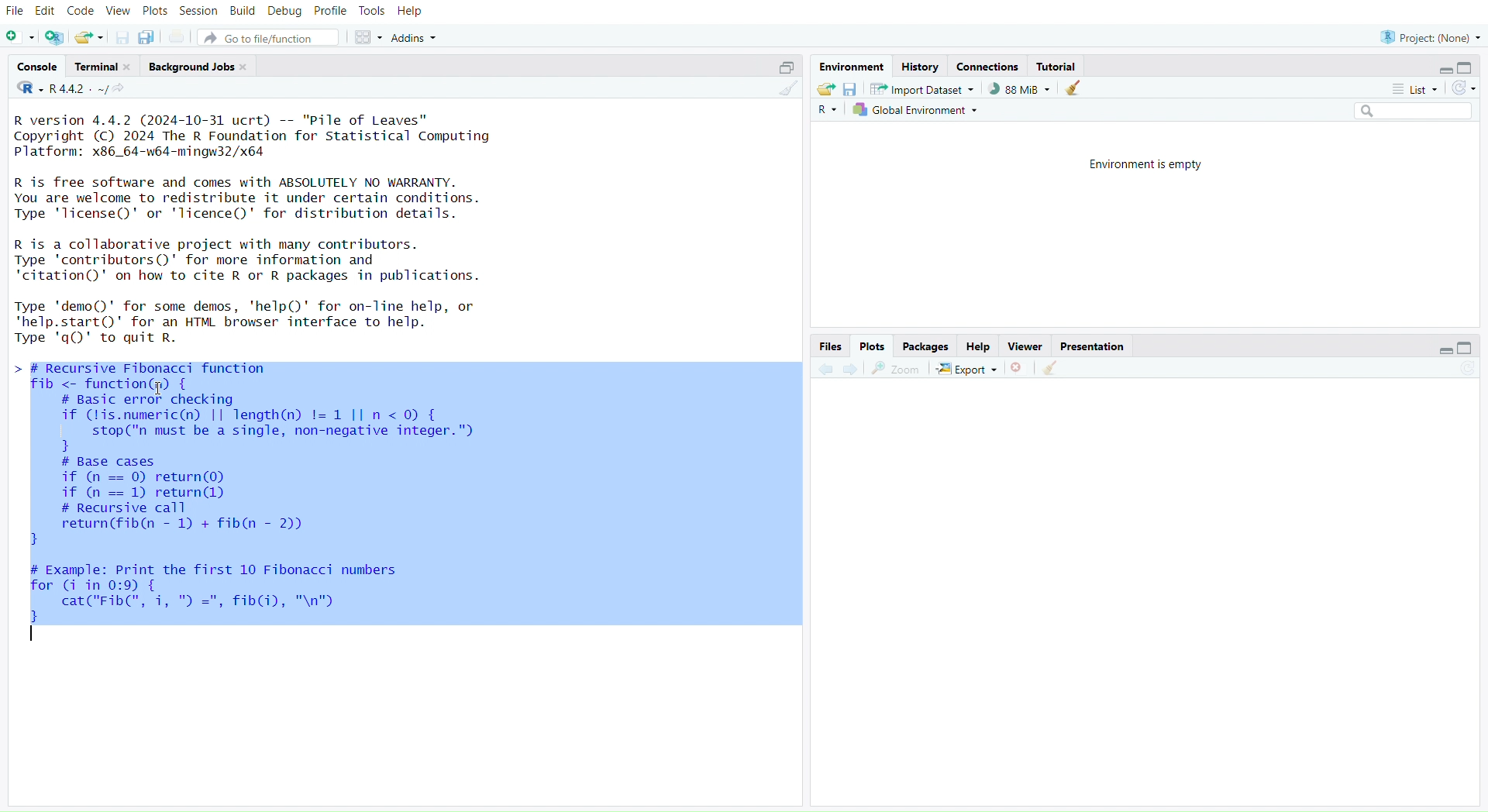  Describe the element at coordinates (418, 38) in the screenshot. I see `addins` at that location.